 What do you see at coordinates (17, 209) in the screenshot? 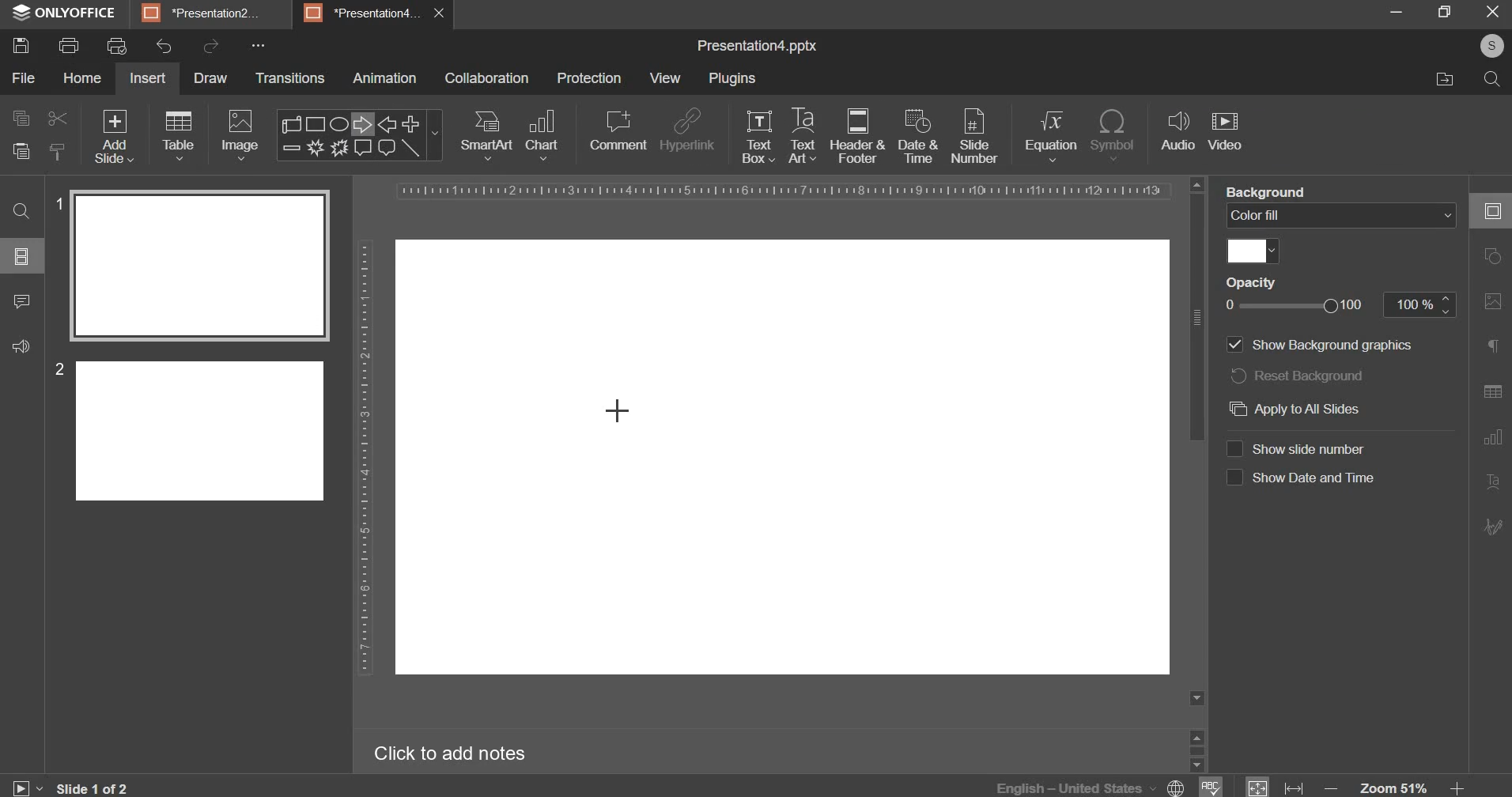
I see `search` at bounding box center [17, 209].